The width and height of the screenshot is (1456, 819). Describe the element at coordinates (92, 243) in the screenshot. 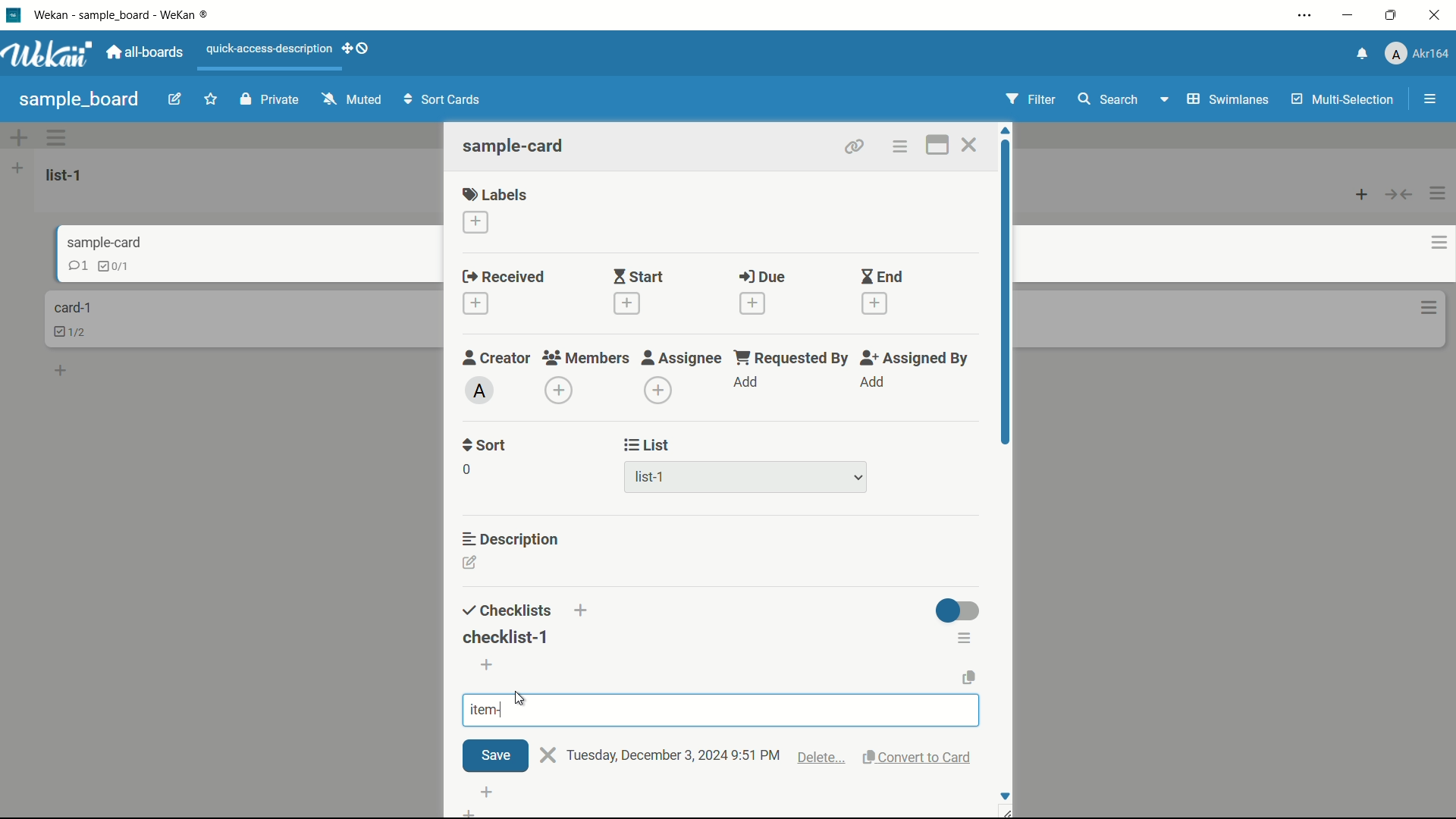

I see `card name` at that location.